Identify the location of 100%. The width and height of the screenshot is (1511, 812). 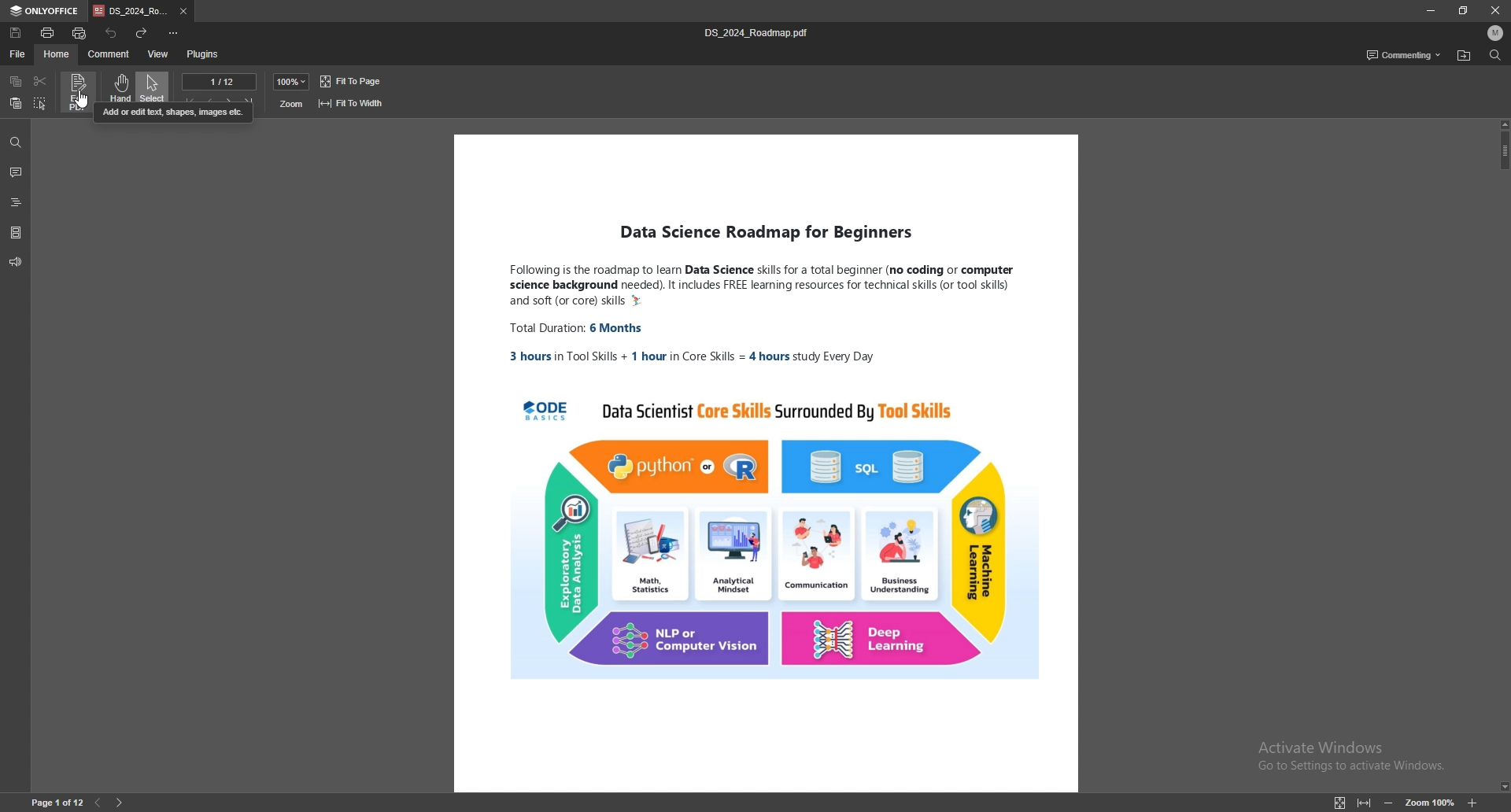
(291, 82).